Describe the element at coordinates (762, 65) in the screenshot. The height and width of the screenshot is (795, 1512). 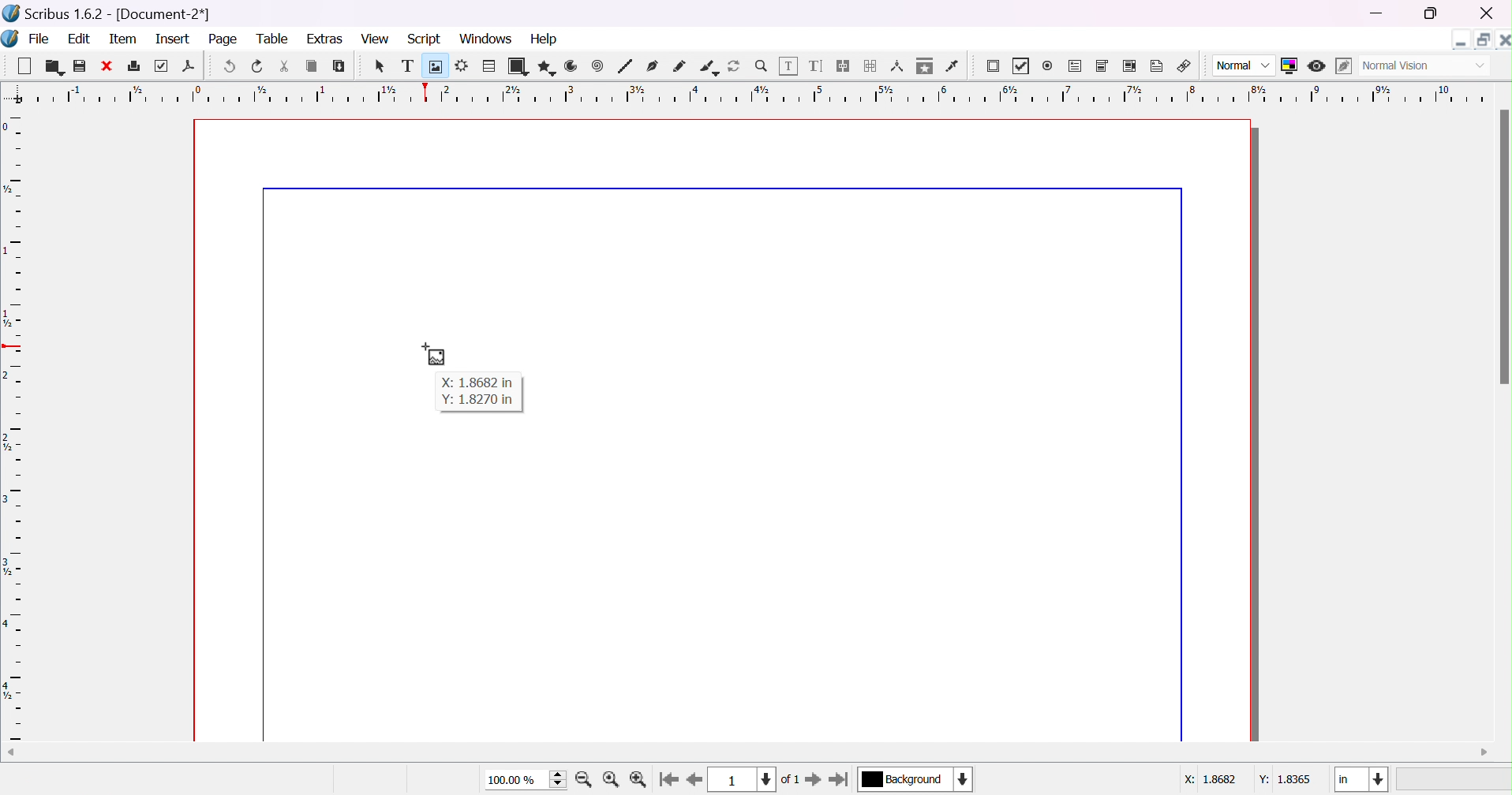
I see `zoom in/out` at that location.